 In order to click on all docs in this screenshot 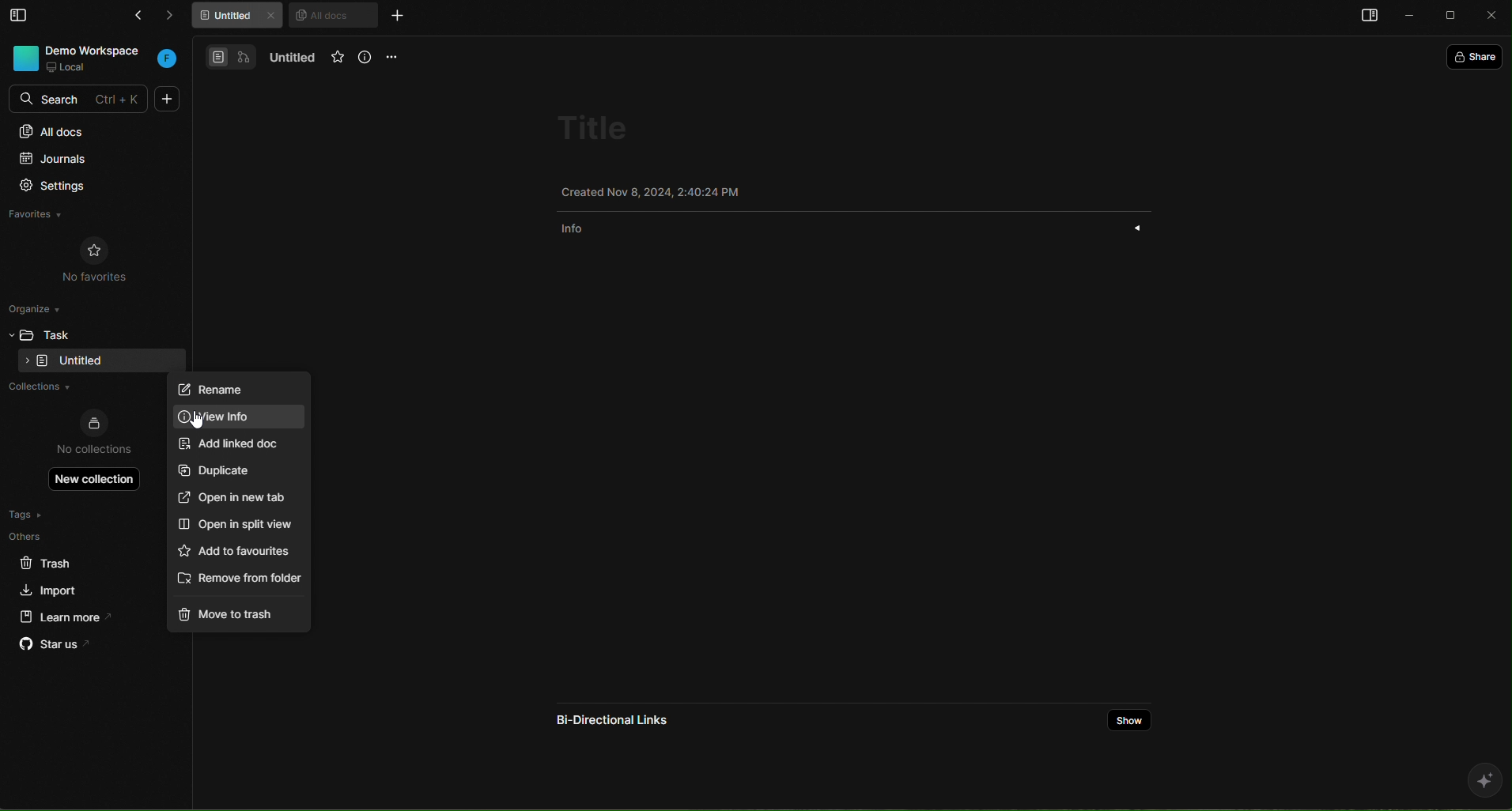, I will do `click(93, 130)`.